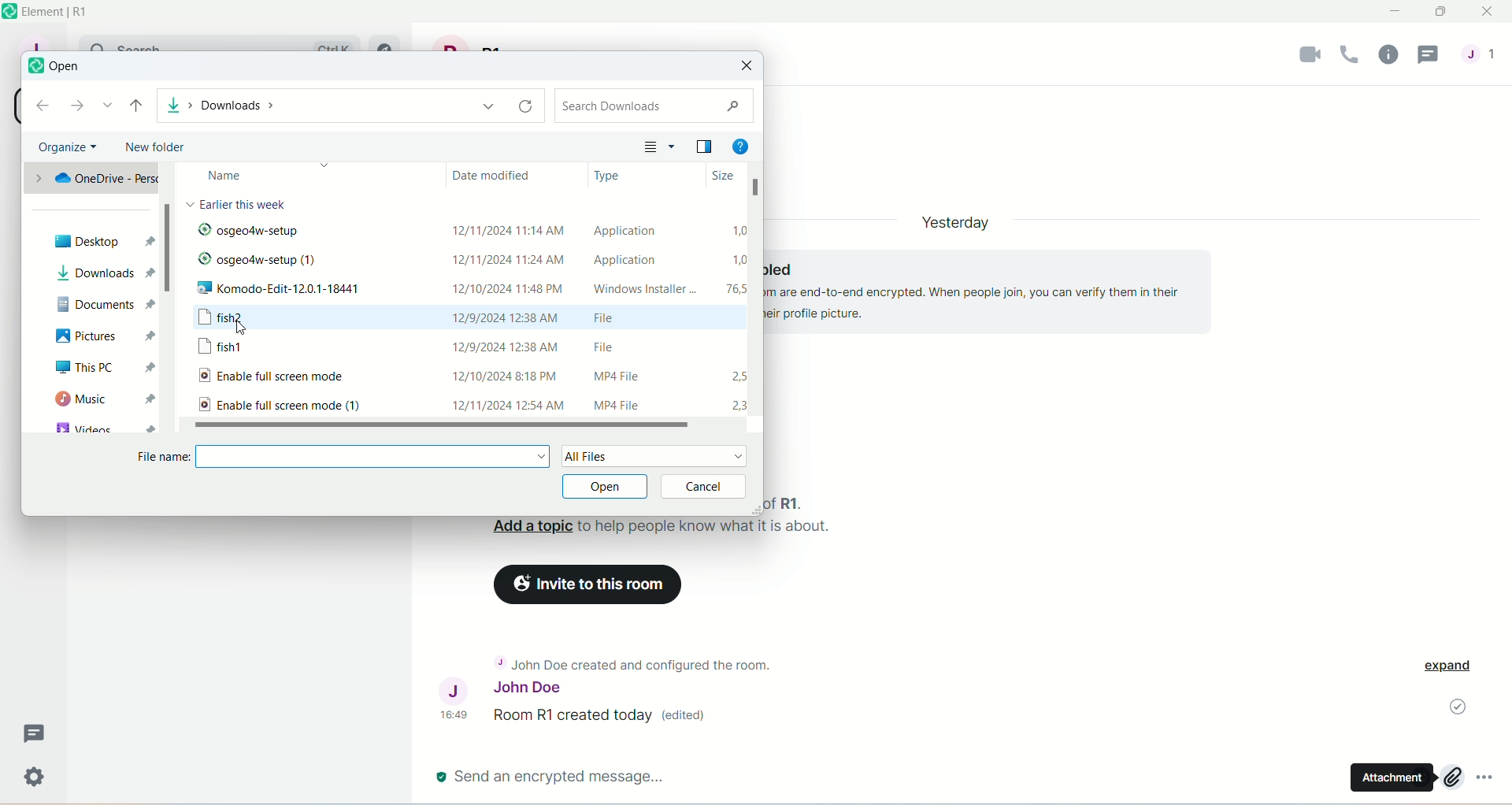 Image resolution: width=1512 pixels, height=805 pixels. Describe the element at coordinates (982, 287) in the screenshot. I see `ed
1 are end-to-end encrypted. When people join, you can verify them in their
ir profile picture.` at that location.